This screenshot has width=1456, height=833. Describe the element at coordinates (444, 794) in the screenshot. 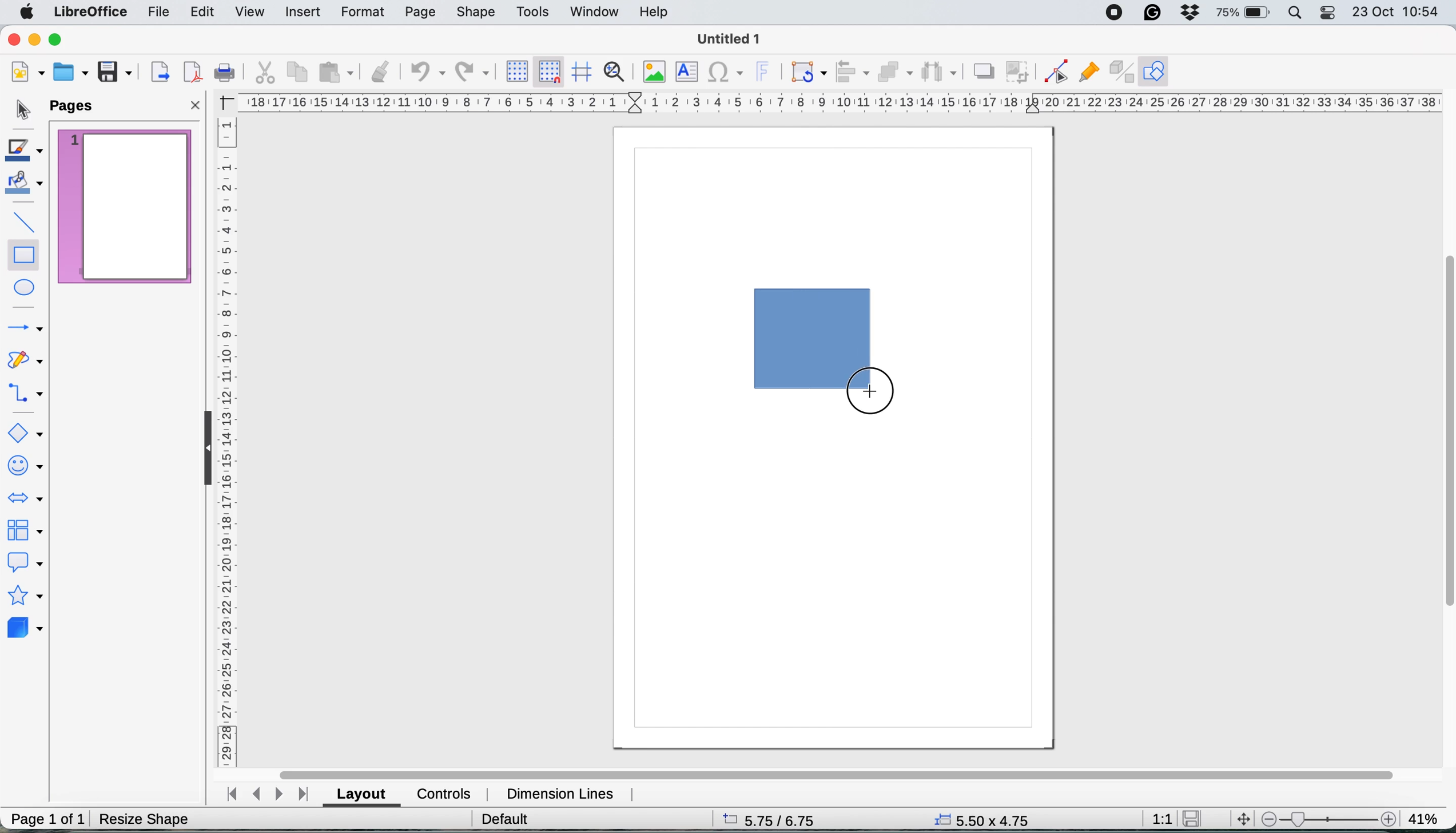

I see `controls` at that location.